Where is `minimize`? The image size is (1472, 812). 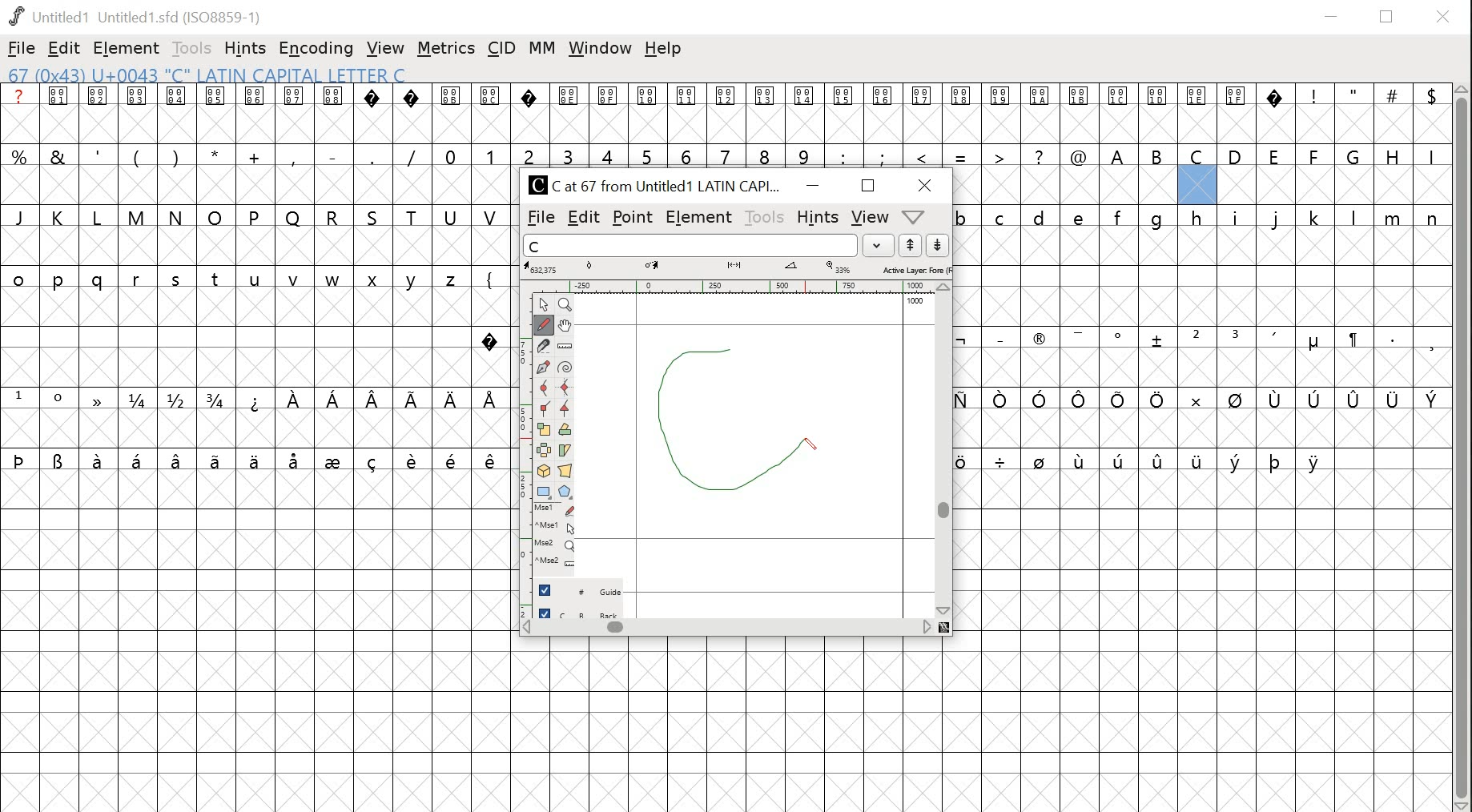
minimize is located at coordinates (1333, 14).